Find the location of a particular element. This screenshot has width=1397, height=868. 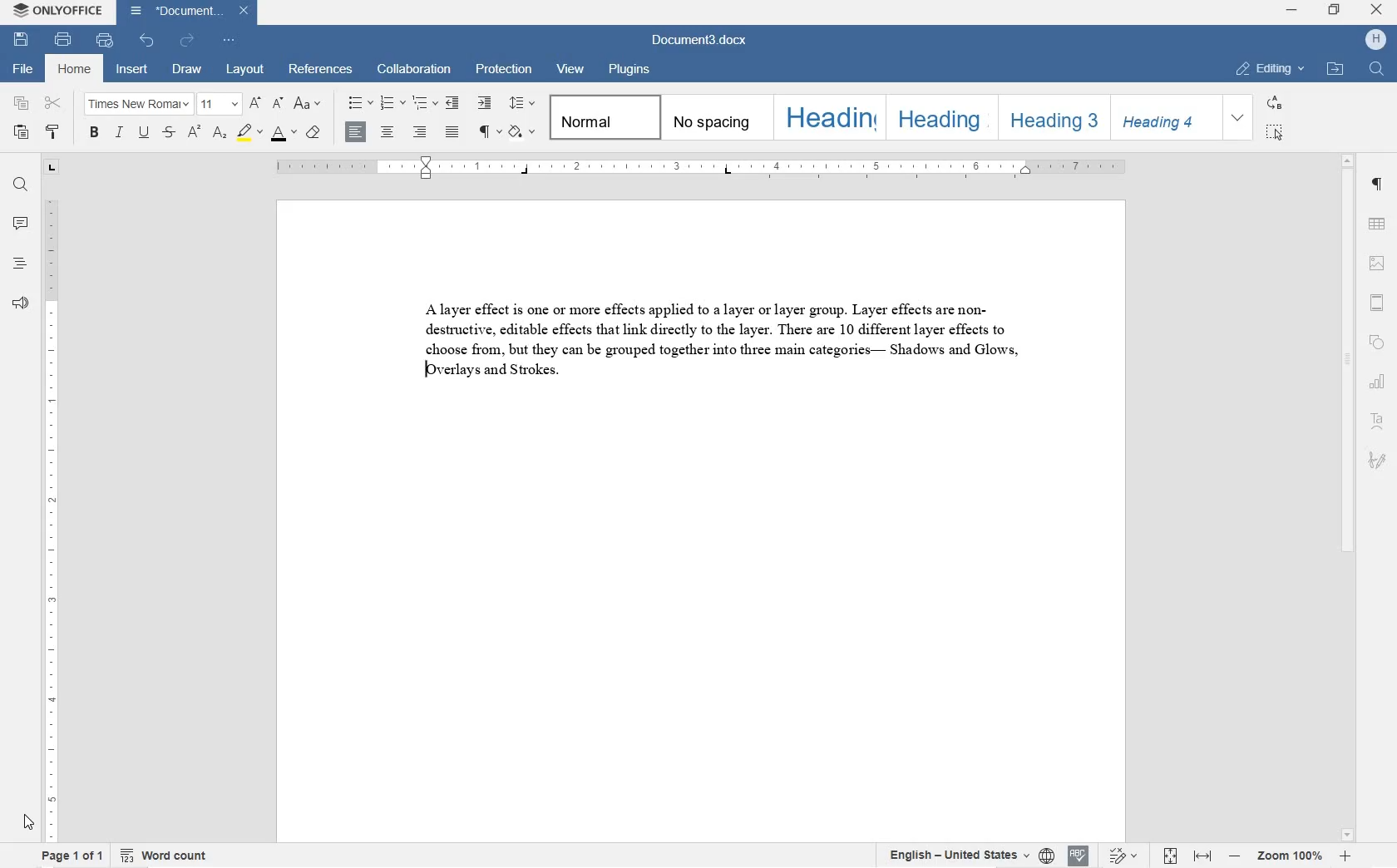

change case is located at coordinates (309, 104).